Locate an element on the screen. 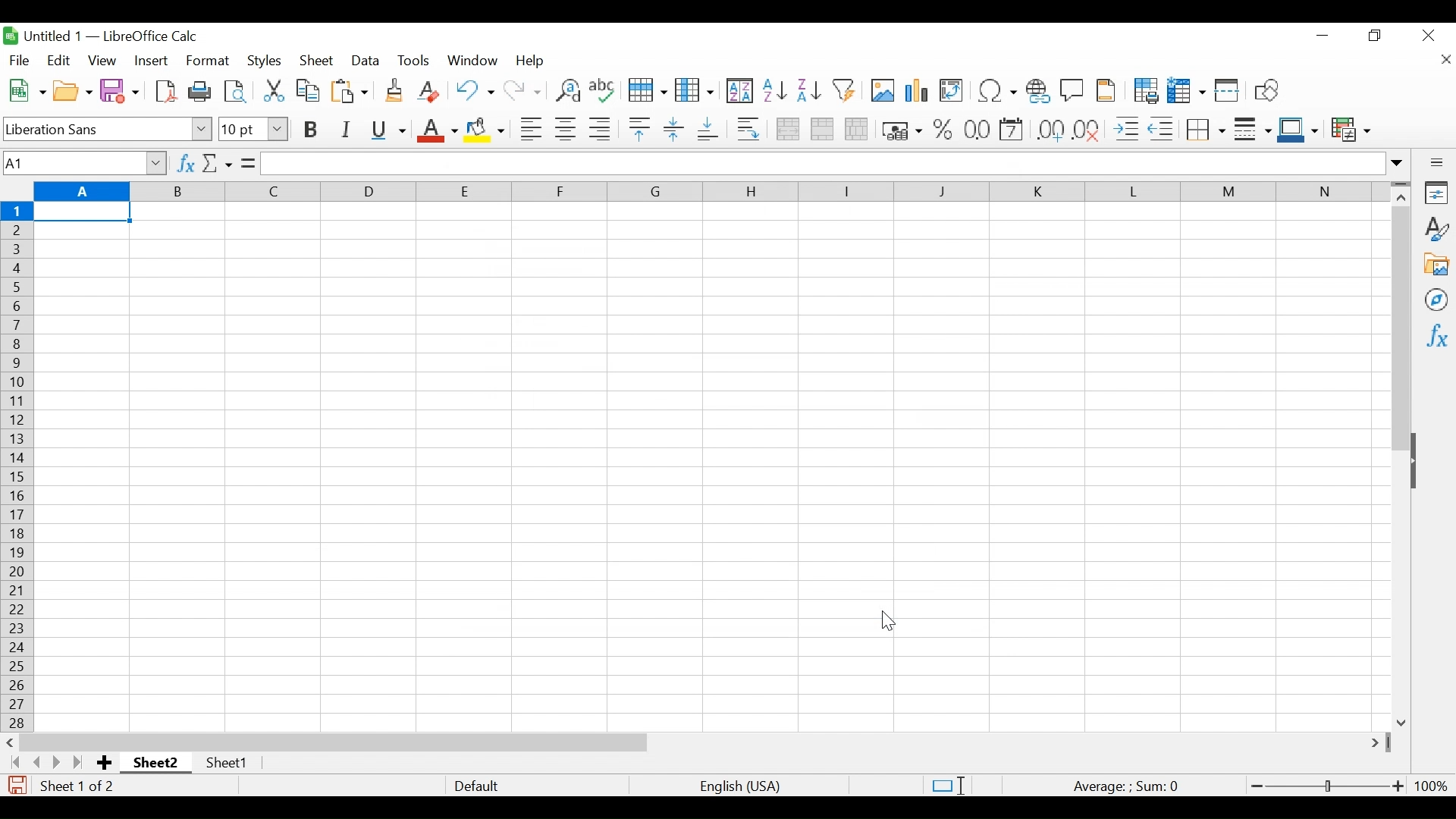 Image resolution: width=1456 pixels, height=819 pixels. Styles is located at coordinates (1436, 227).